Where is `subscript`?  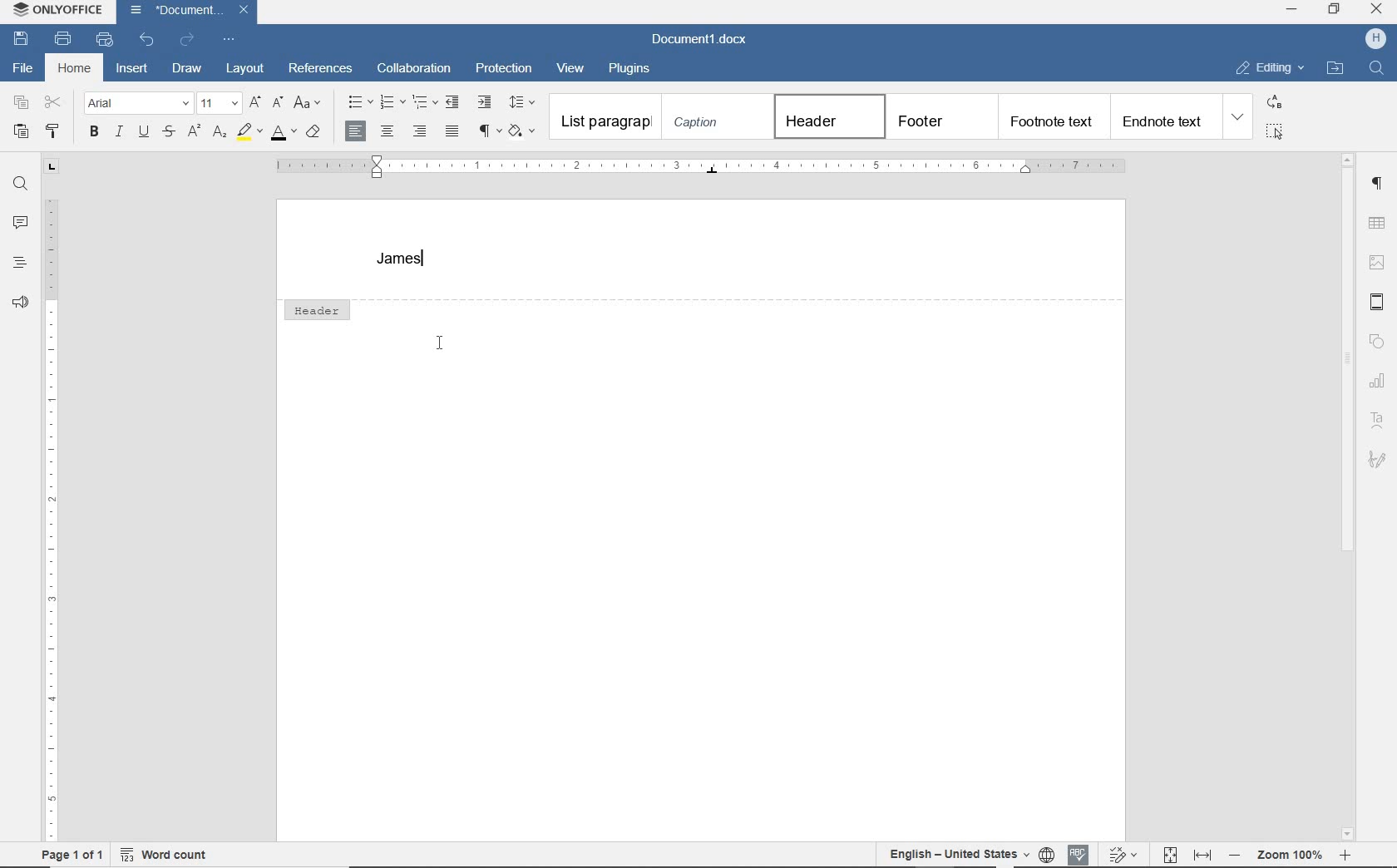 subscript is located at coordinates (221, 134).